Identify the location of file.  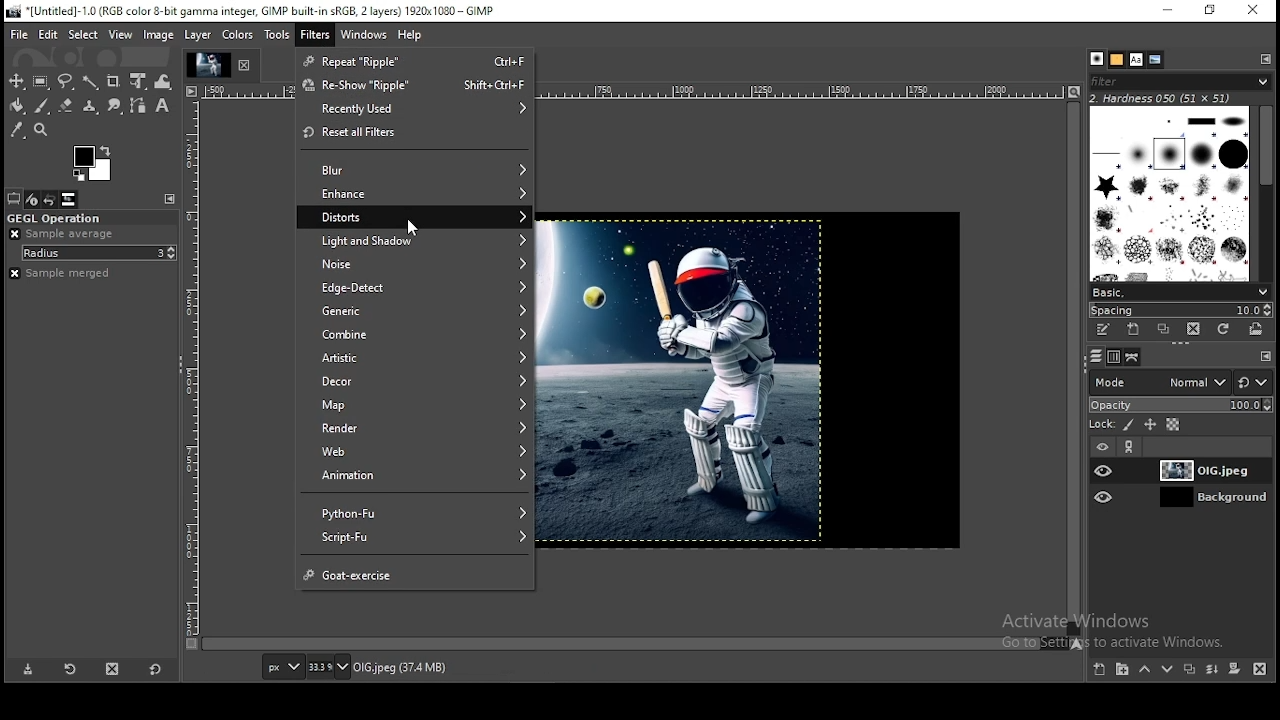
(21, 35).